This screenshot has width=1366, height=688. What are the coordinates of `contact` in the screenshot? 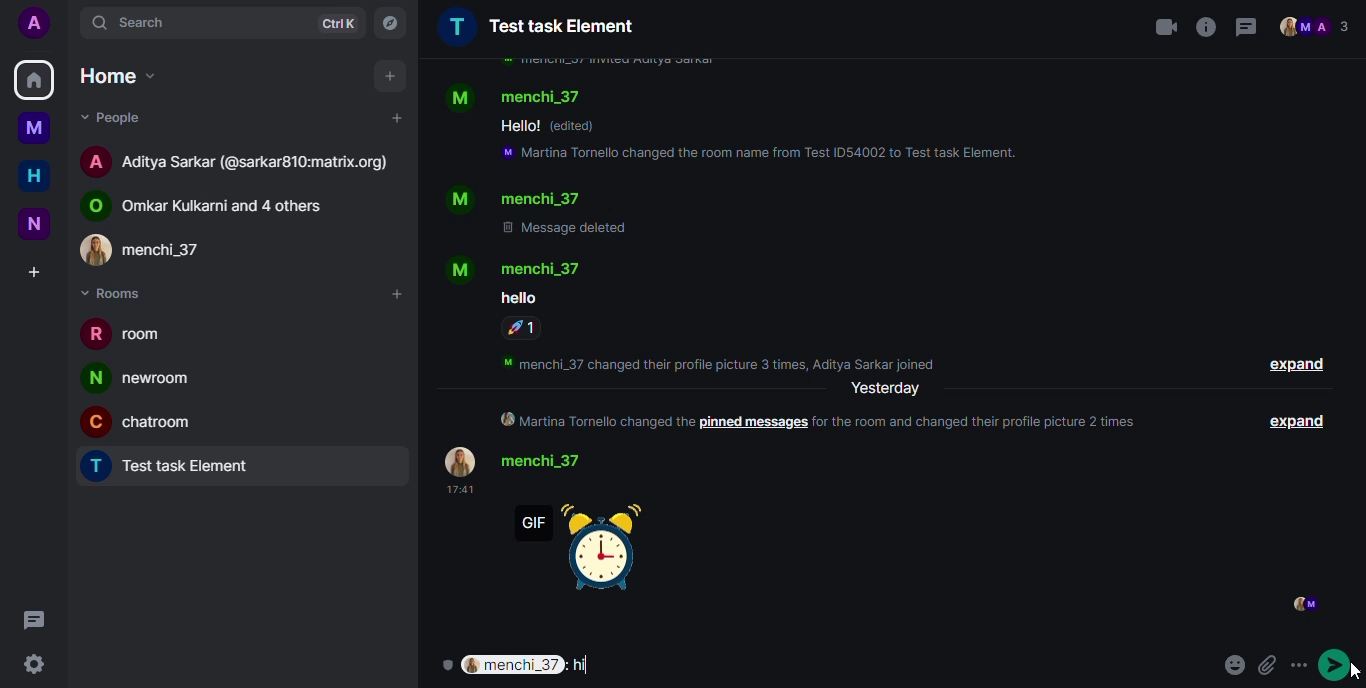 It's located at (518, 268).